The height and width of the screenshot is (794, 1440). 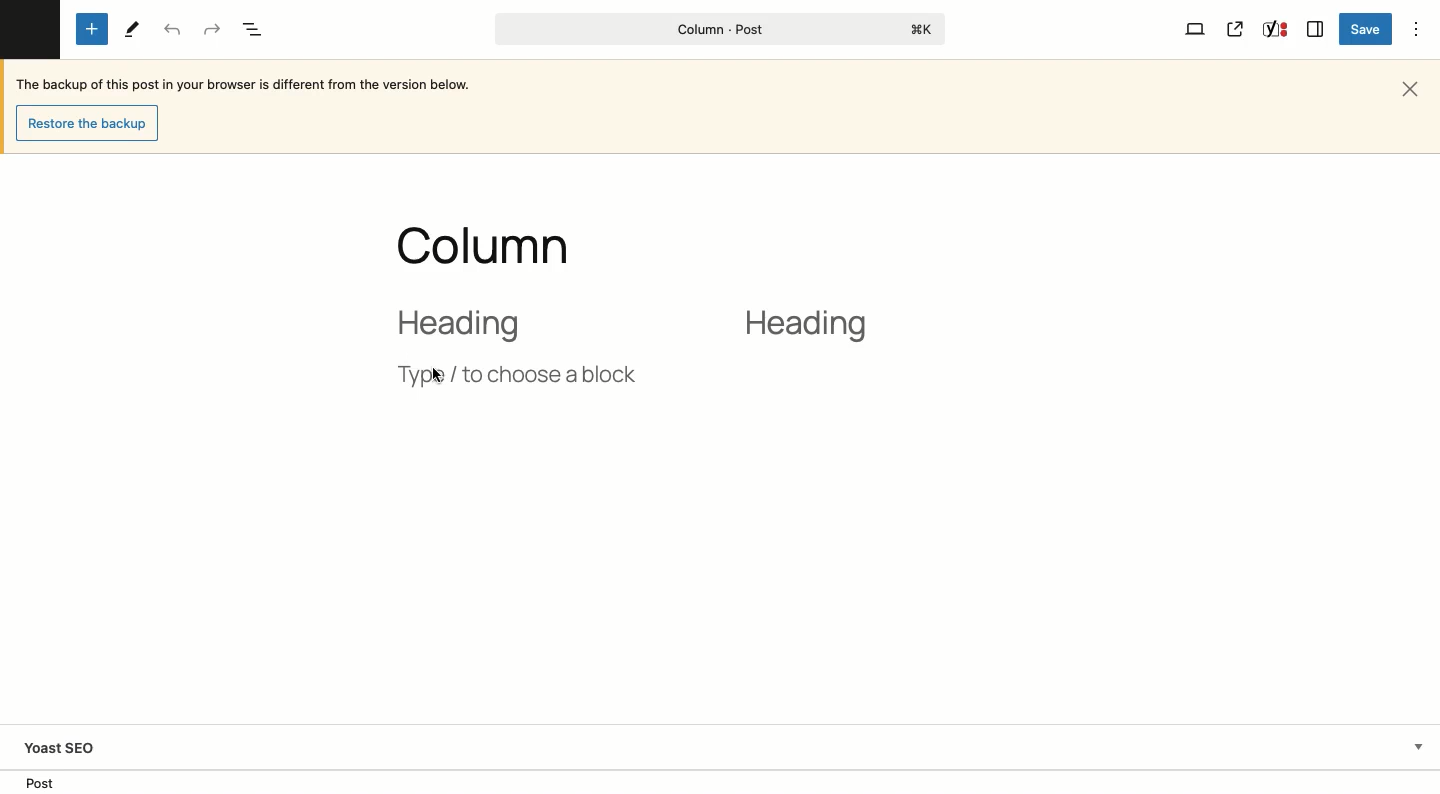 I want to click on Sidebar, so click(x=1316, y=27).